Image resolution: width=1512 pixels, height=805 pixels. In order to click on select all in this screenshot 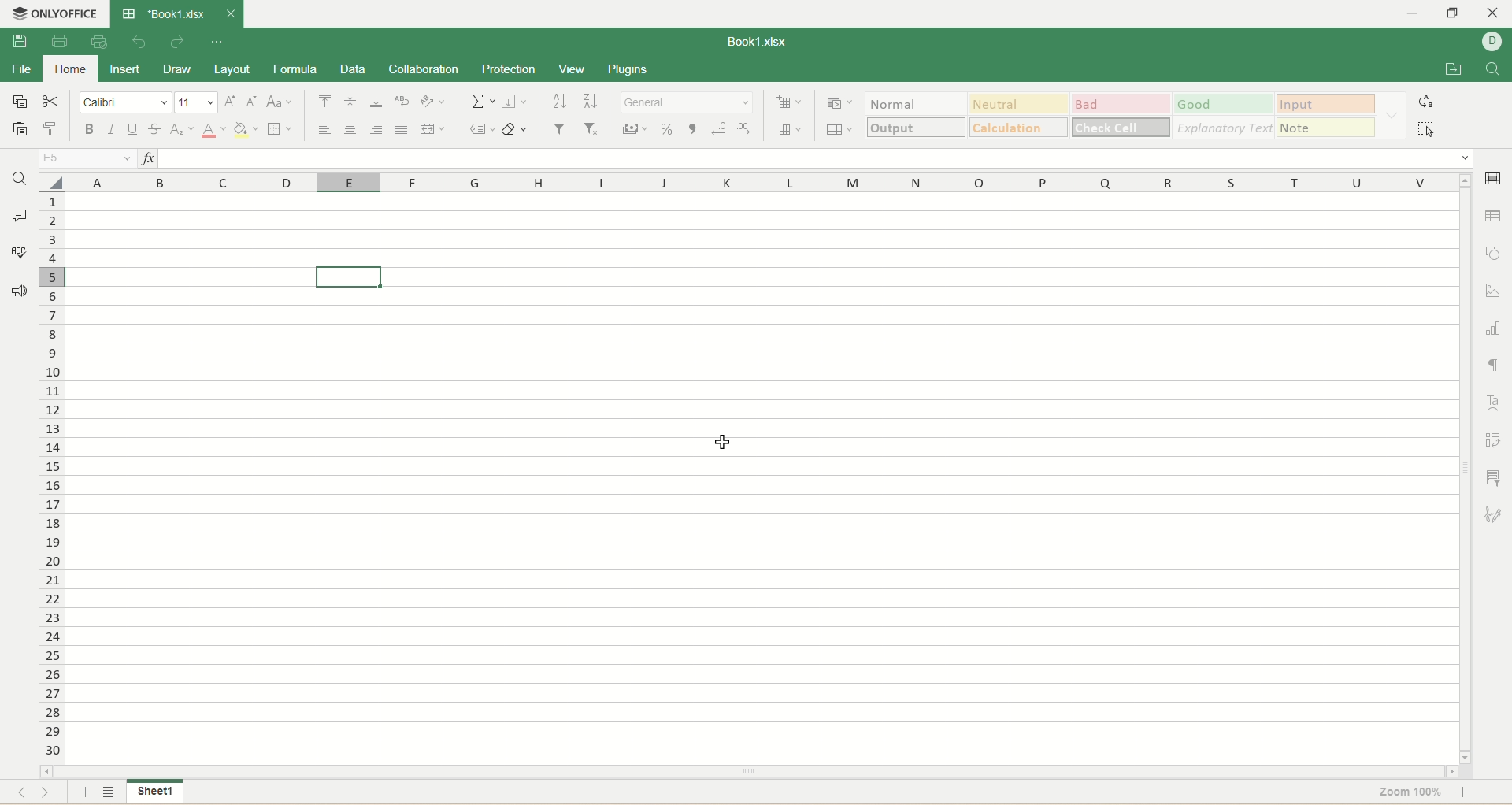, I will do `click(52, 183)`.